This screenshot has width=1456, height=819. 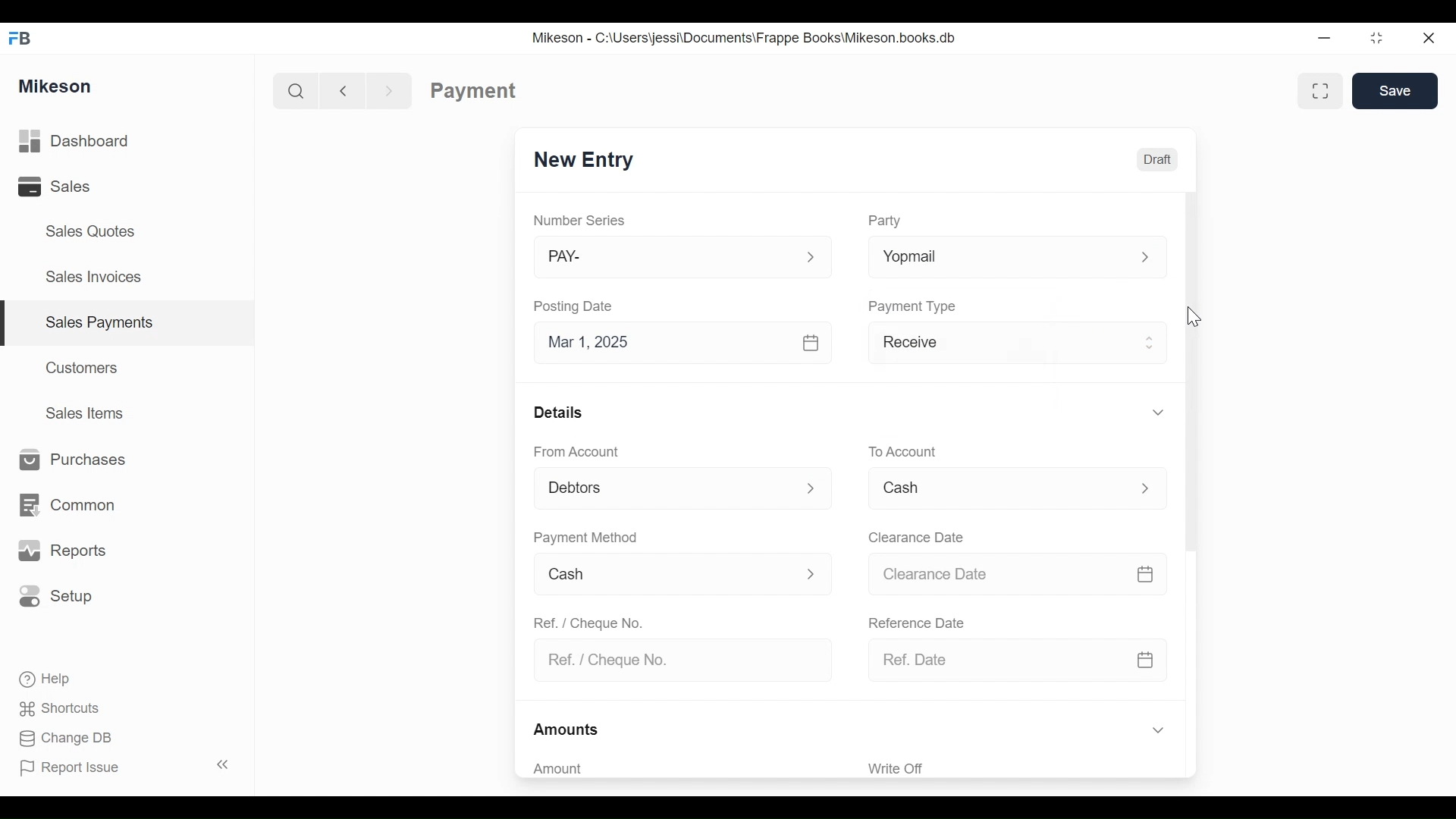 I want to click on Report Issue, so click(x=77, y=768).